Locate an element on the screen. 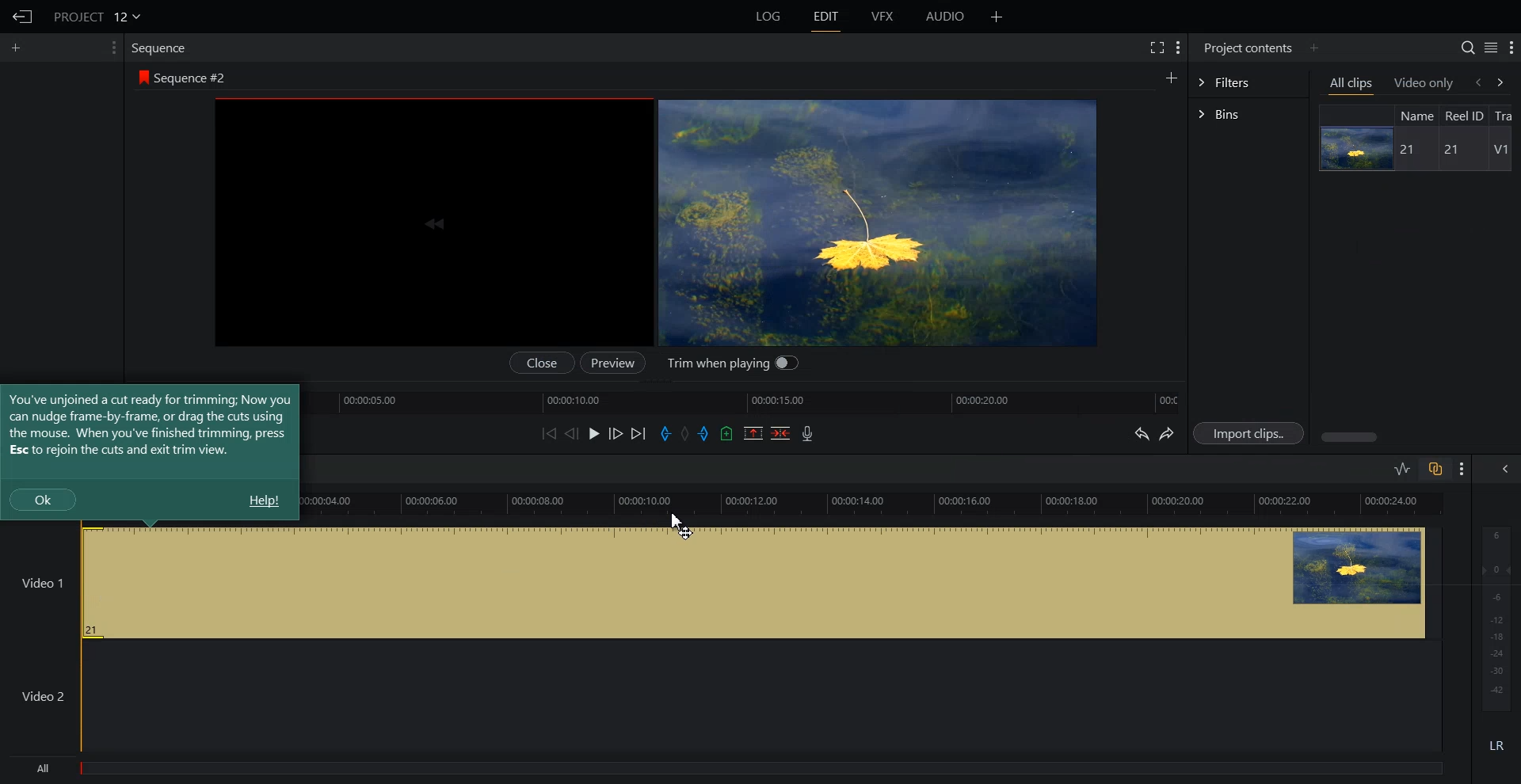 This screenshot has height=784, width=1521. name is located at coordinates (1416, 115).